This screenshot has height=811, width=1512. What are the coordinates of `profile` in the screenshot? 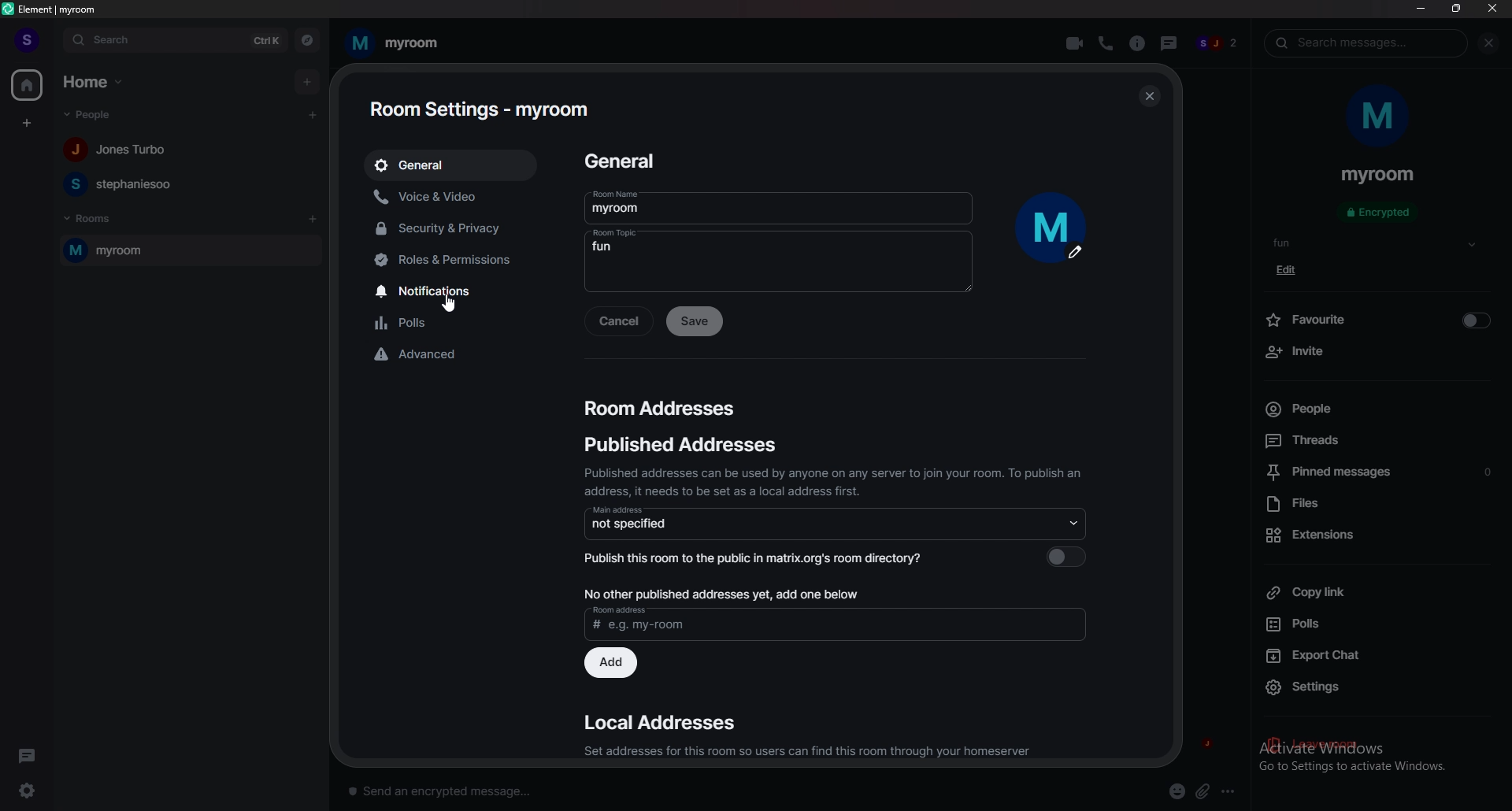 It's located at (28, 40).